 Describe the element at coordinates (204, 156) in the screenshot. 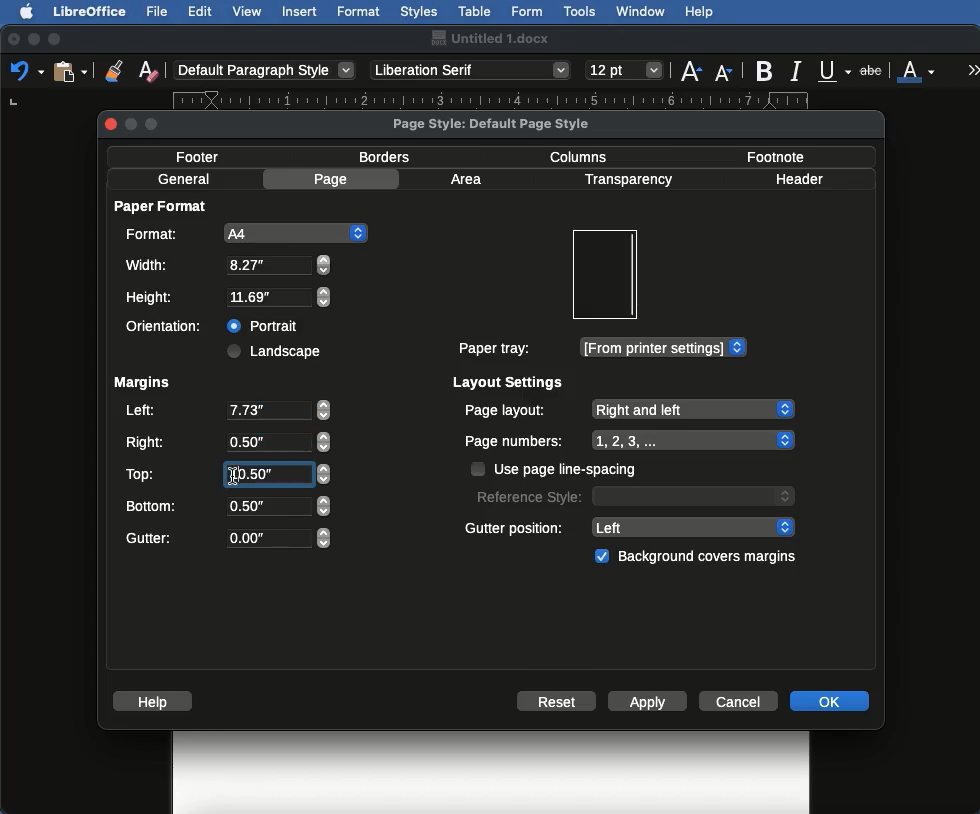

I see `Footer` at that location.